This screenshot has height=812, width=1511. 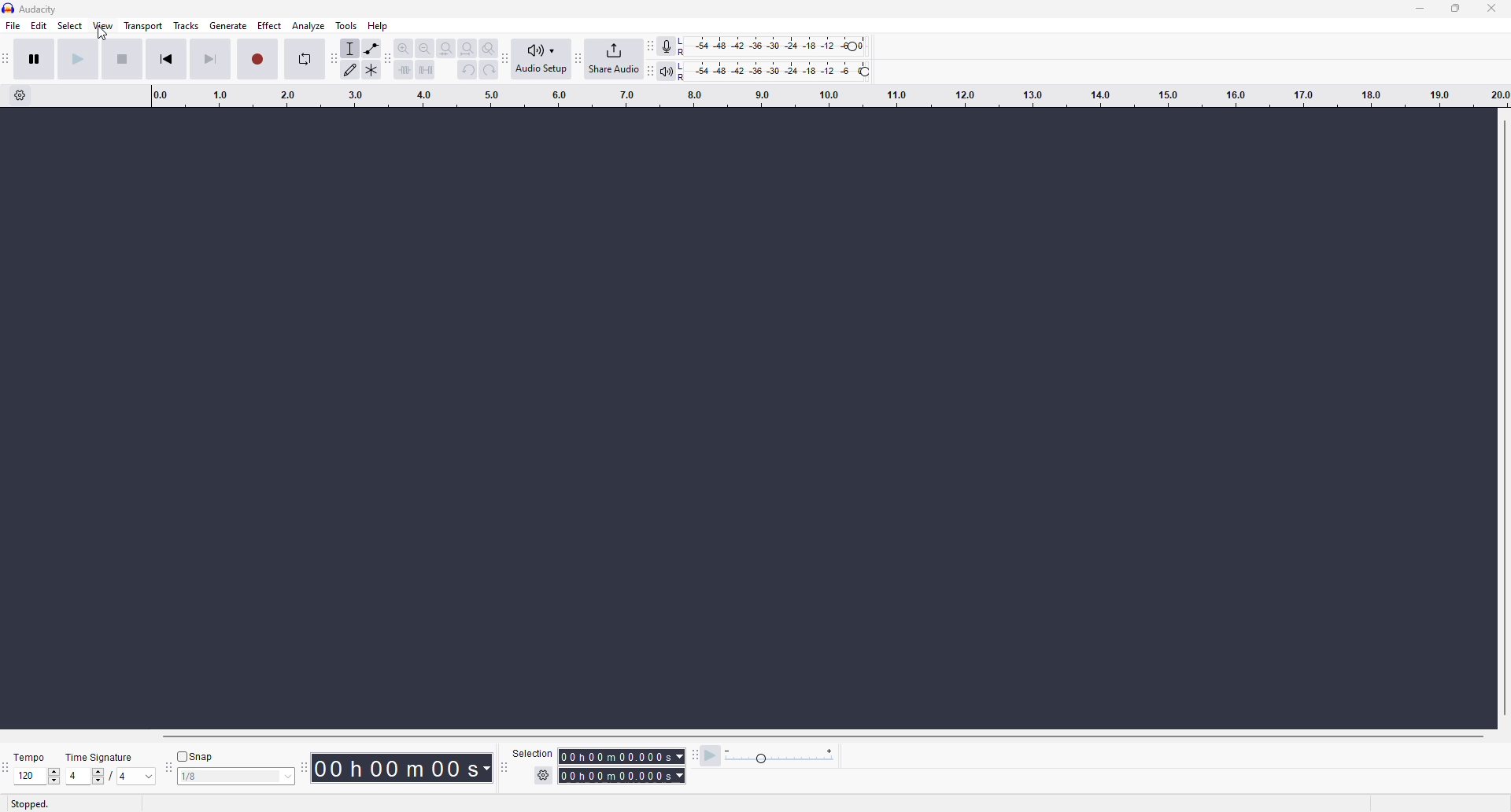 What do you see at coordinates (488, 70) in the screenshot?
I see `redo` at bounding box center [488, 70].